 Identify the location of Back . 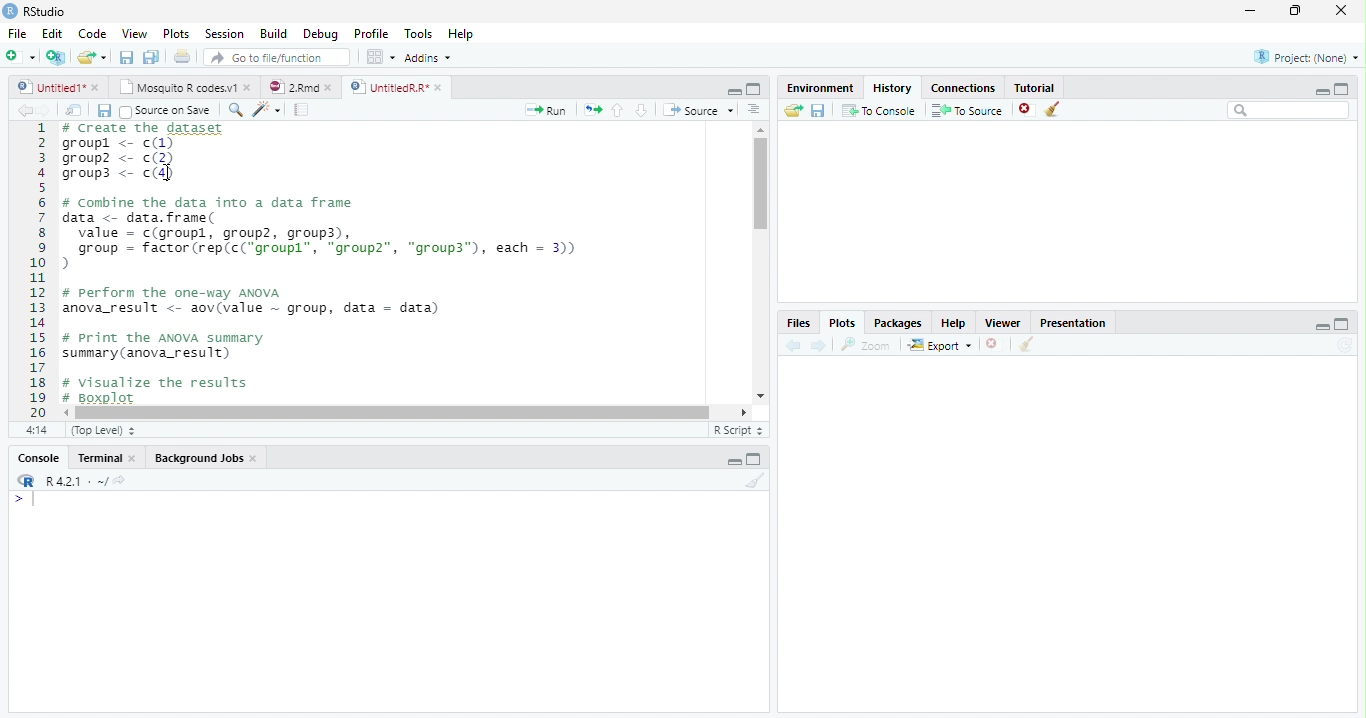
(26, 111).